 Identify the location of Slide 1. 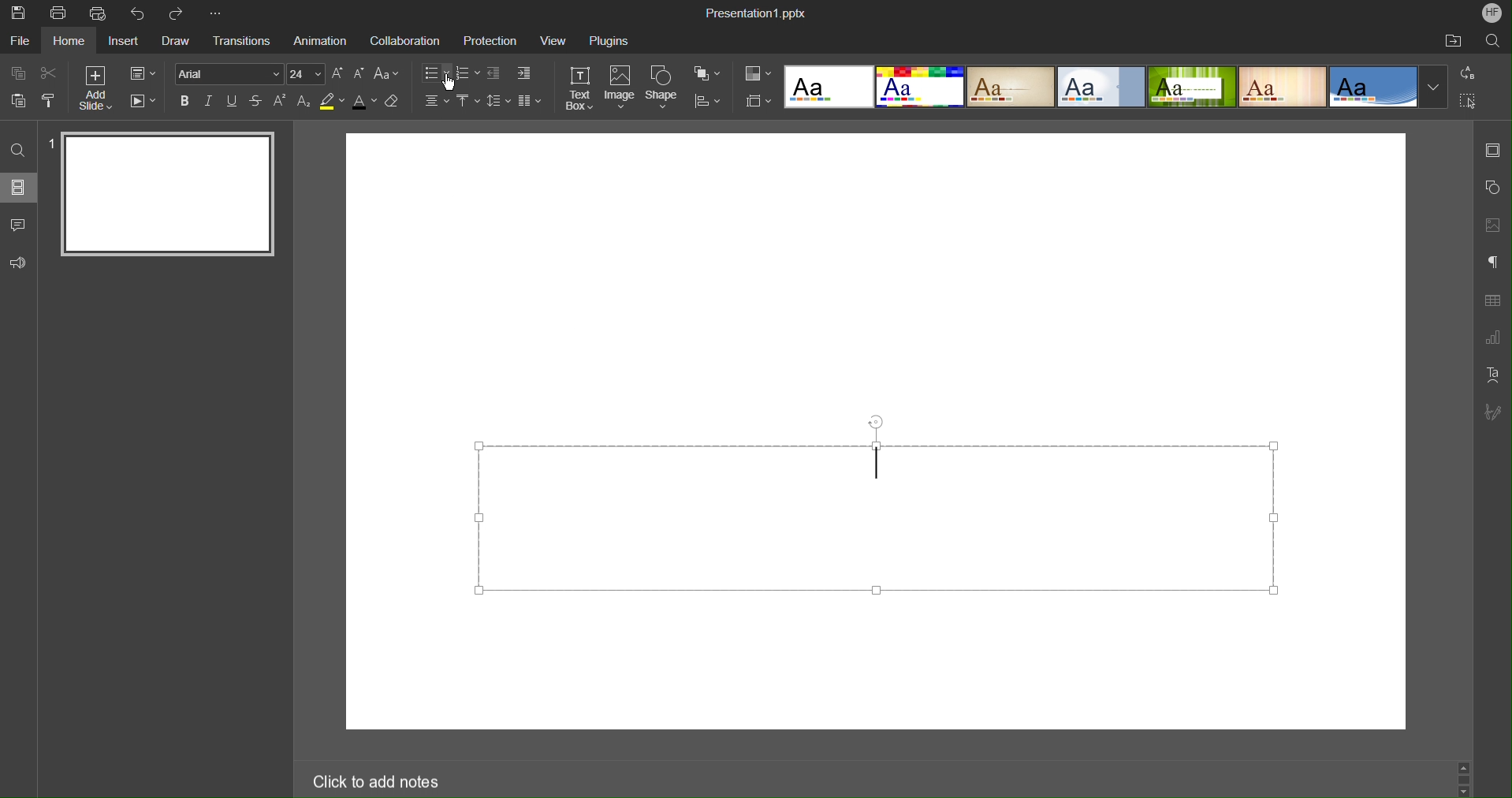
(169, 194).